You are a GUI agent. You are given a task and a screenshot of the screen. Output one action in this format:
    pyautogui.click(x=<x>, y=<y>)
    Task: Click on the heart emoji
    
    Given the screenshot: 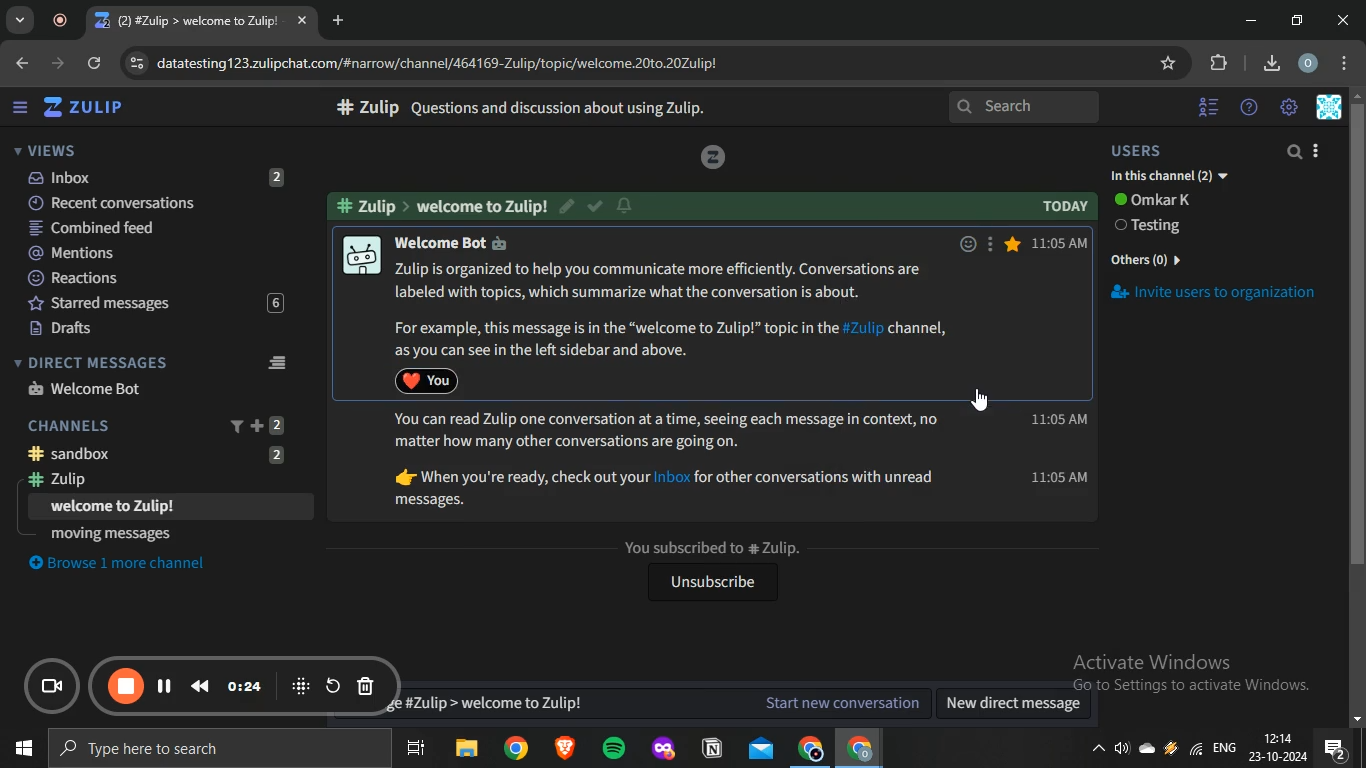 What is the action you would take?
    pyautogui.click(x=431, y=380)
    